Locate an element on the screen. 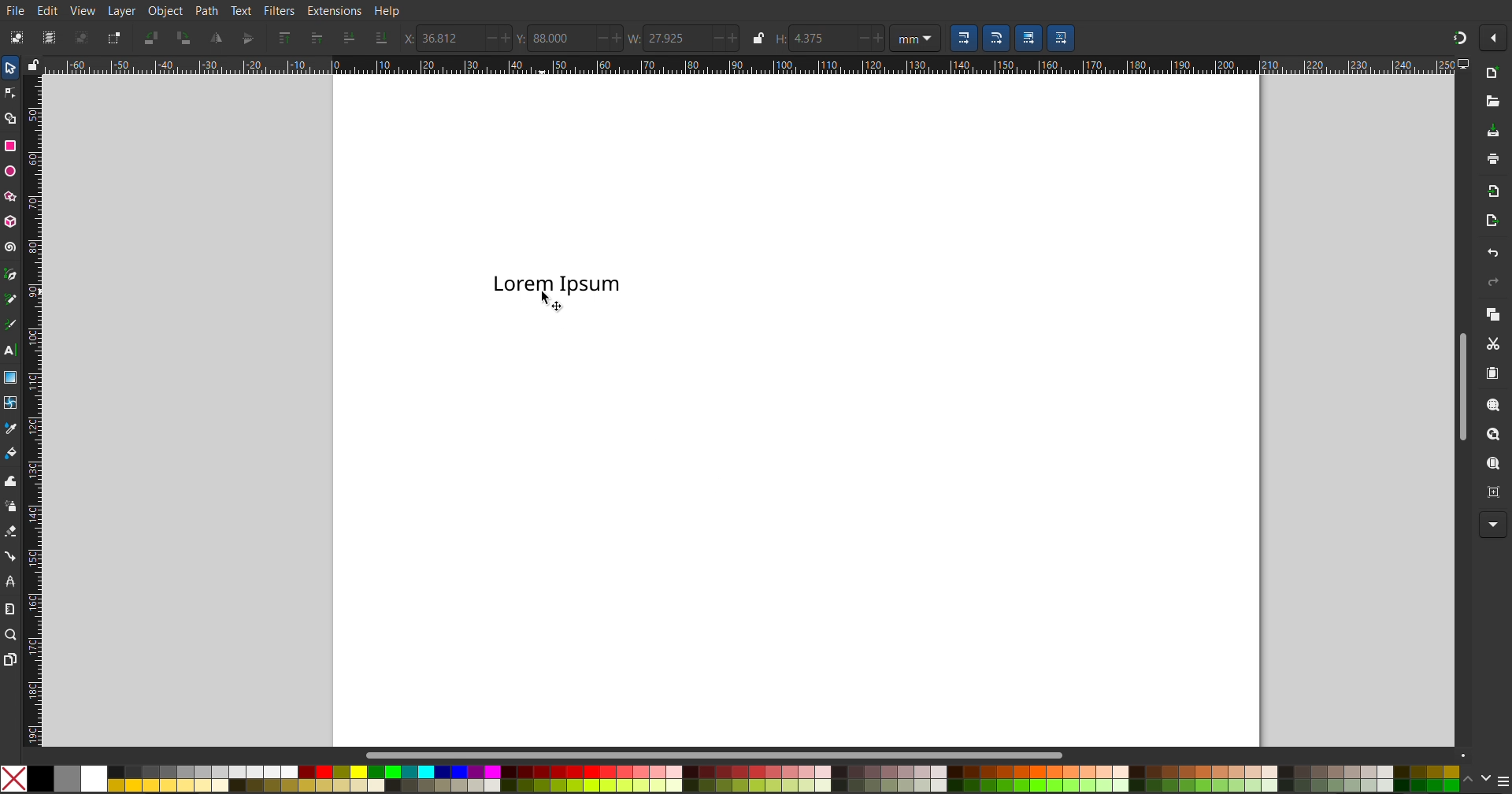 This screenshot has width=1512, height=794. LPE Tool is located at coordinates (11, 581).